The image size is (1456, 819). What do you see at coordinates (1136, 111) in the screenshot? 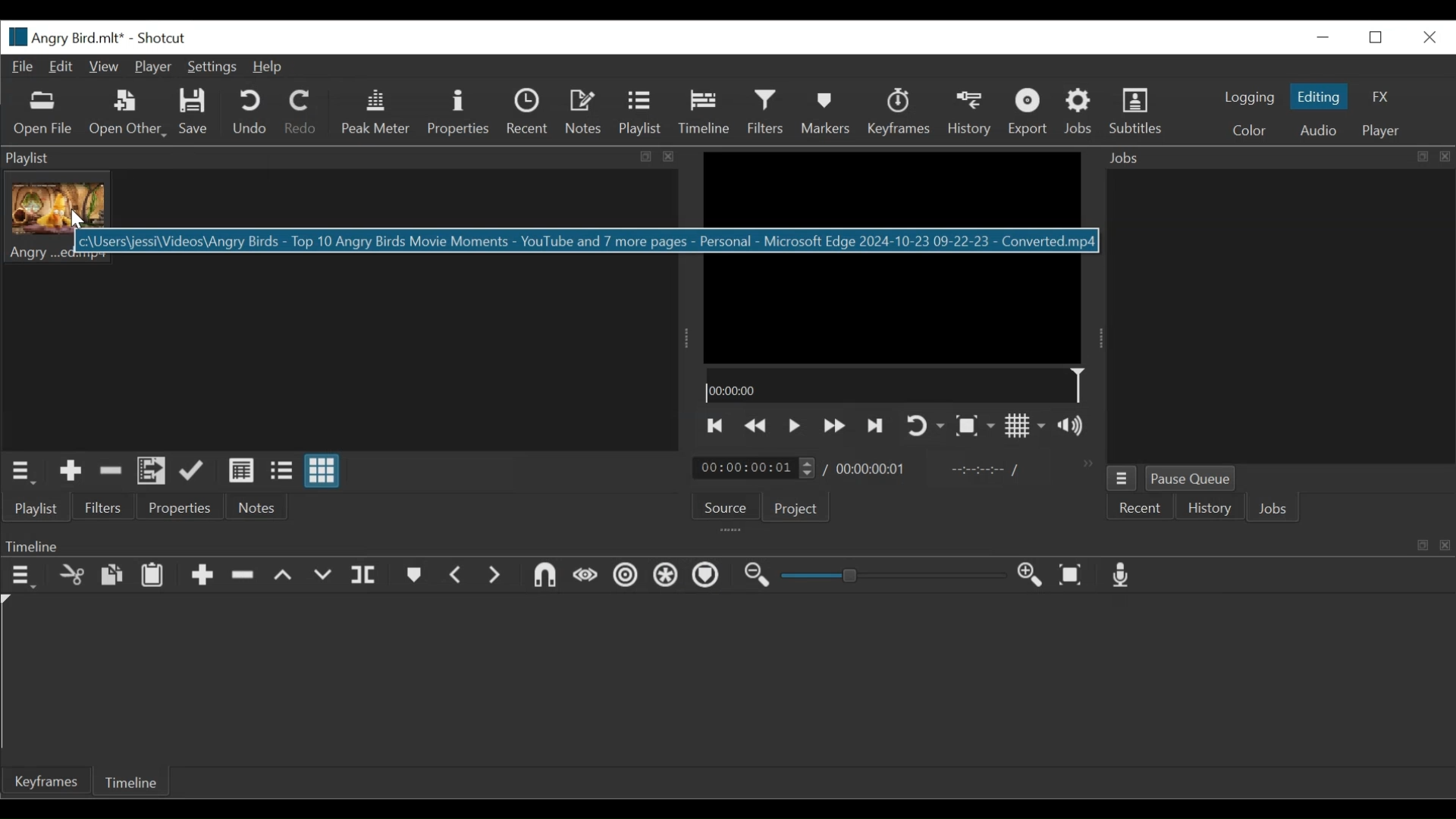
I see `Subtitles` at bounding box center [1136, 111].